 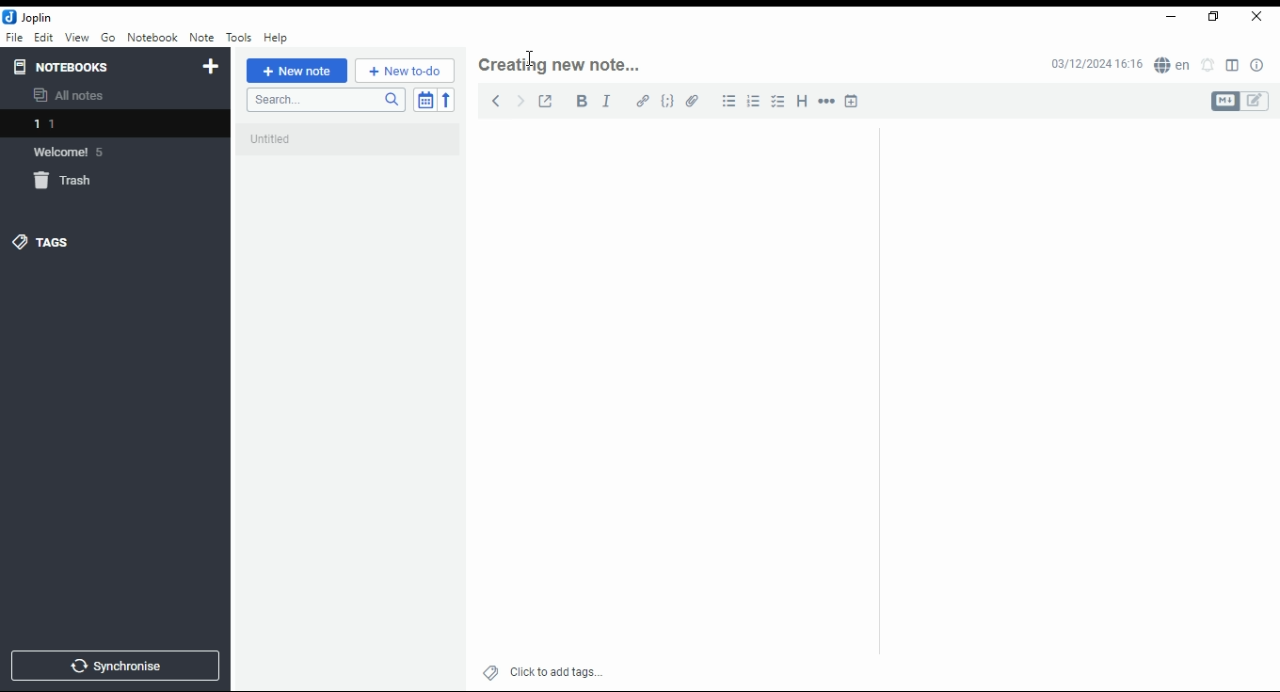 I want to click on italics, so click(x=606, y=100).